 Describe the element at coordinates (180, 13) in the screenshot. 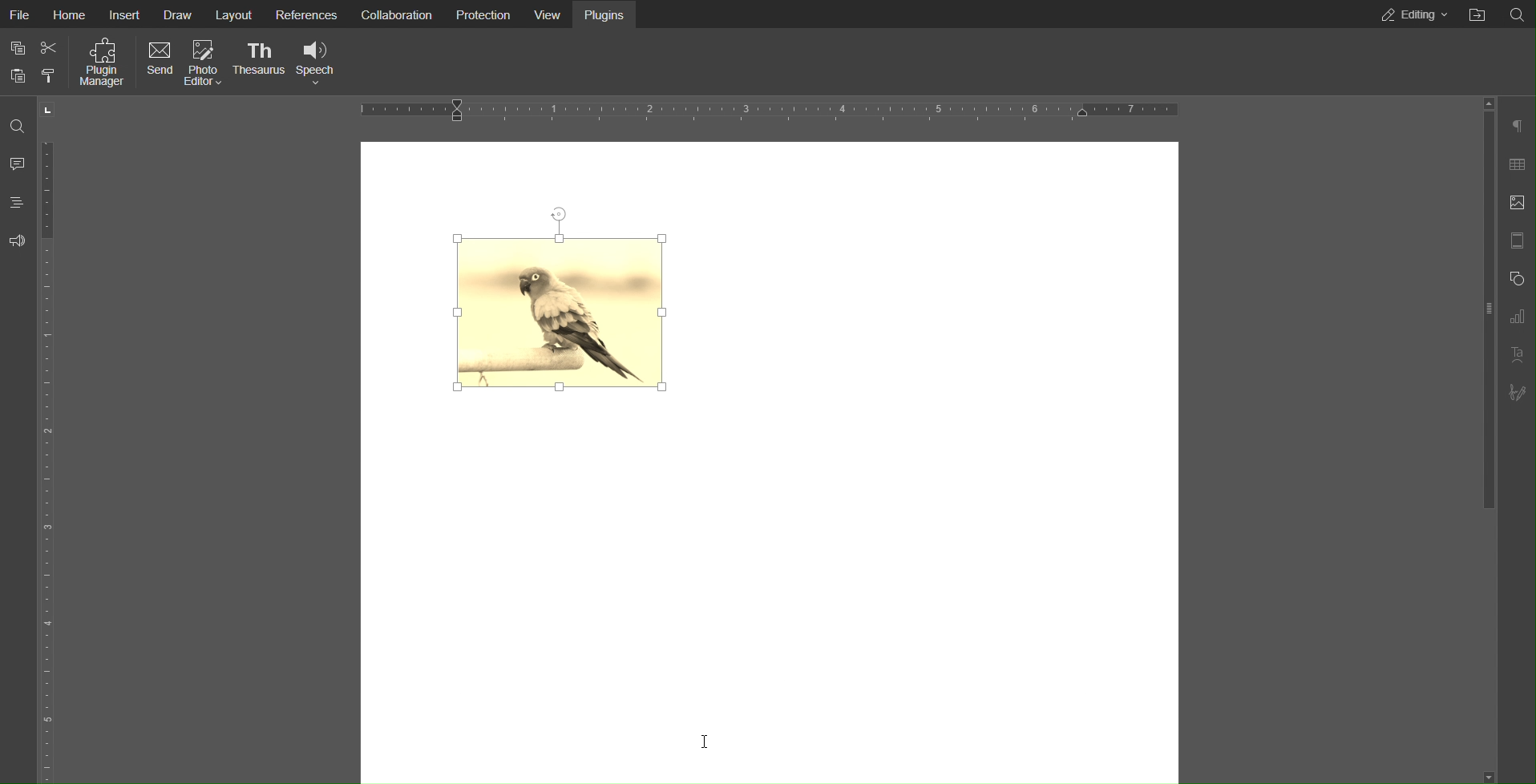

I see `Draw` at that location.